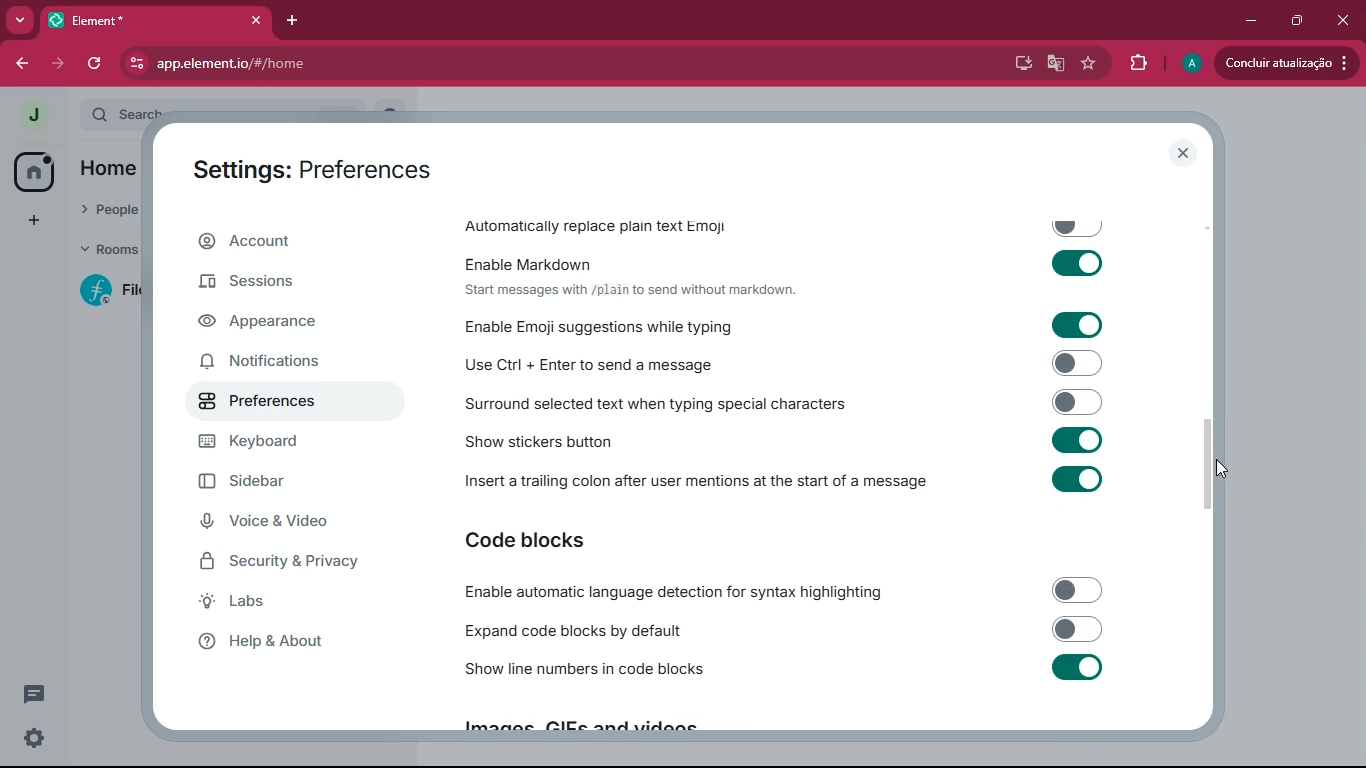  Describe the element at coordinates (790, 485) in the screenshot. I see `Insert a trailing colon after user mentions at the start of a message` at that location.